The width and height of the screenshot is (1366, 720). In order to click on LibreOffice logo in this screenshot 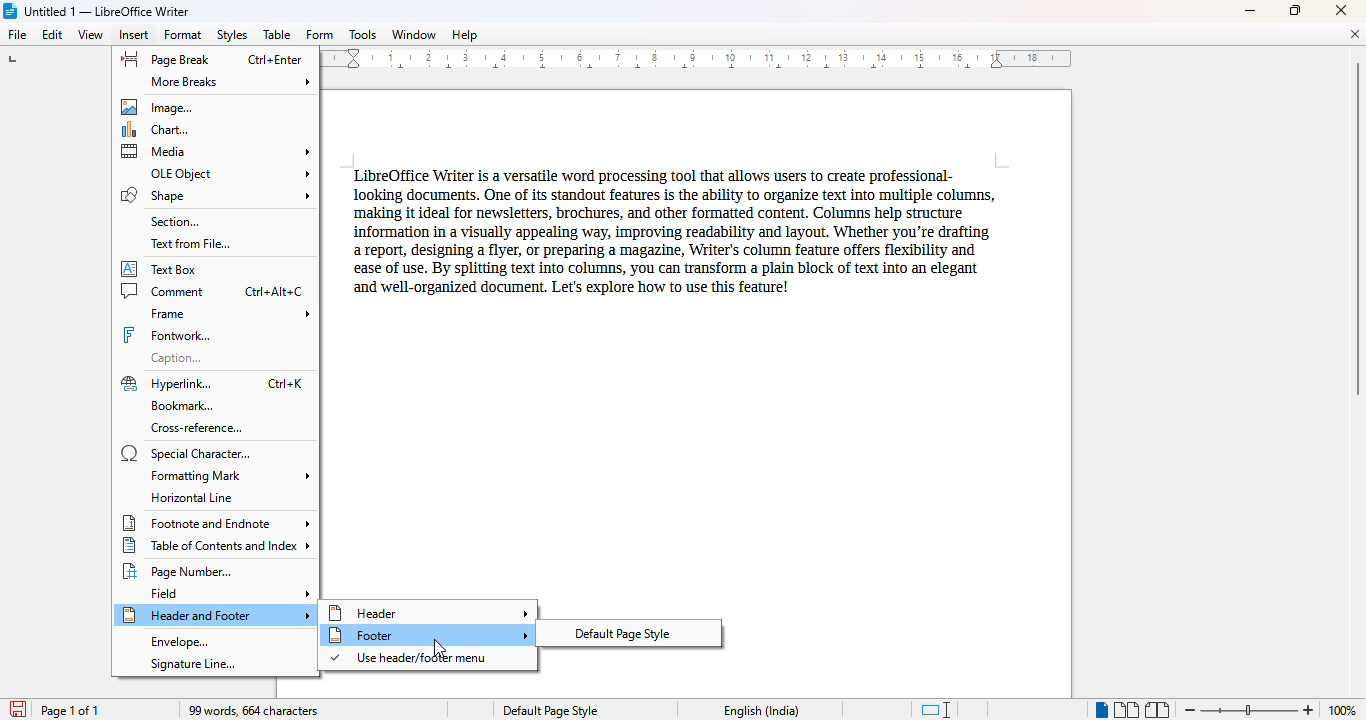, I will do `click(11, 10)`.